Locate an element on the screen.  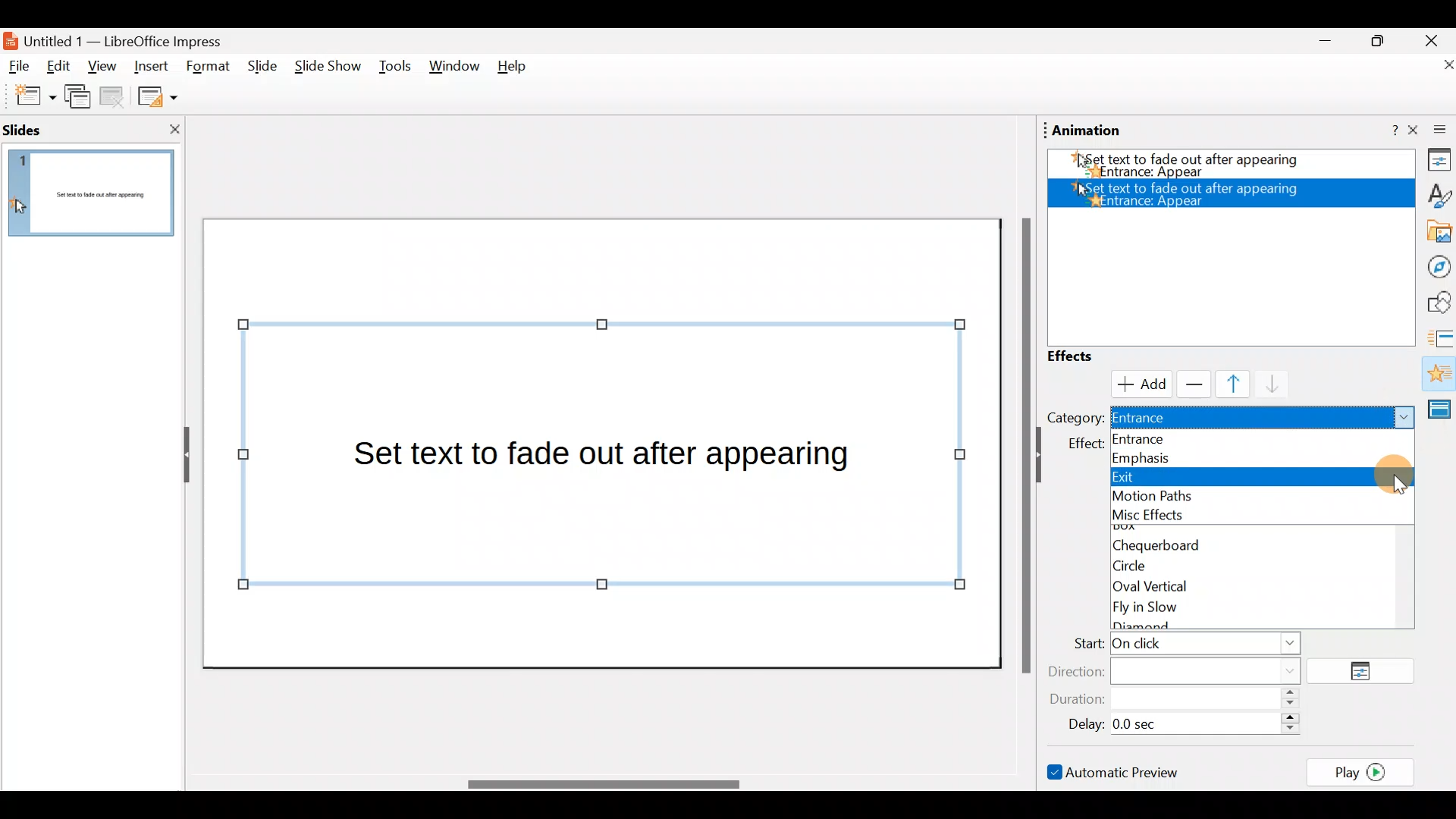
Effects is located at coordinates (1084, 356).